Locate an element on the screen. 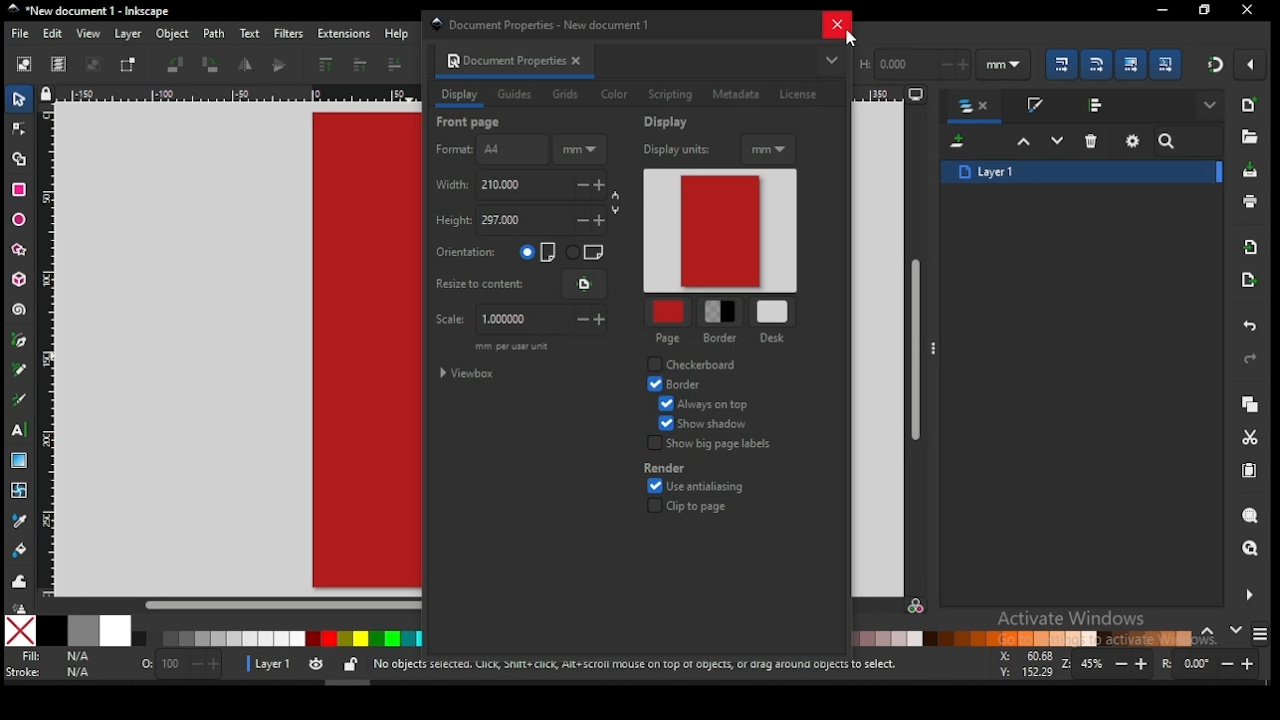  stroke and fill is located at coordinates (1034, 106).